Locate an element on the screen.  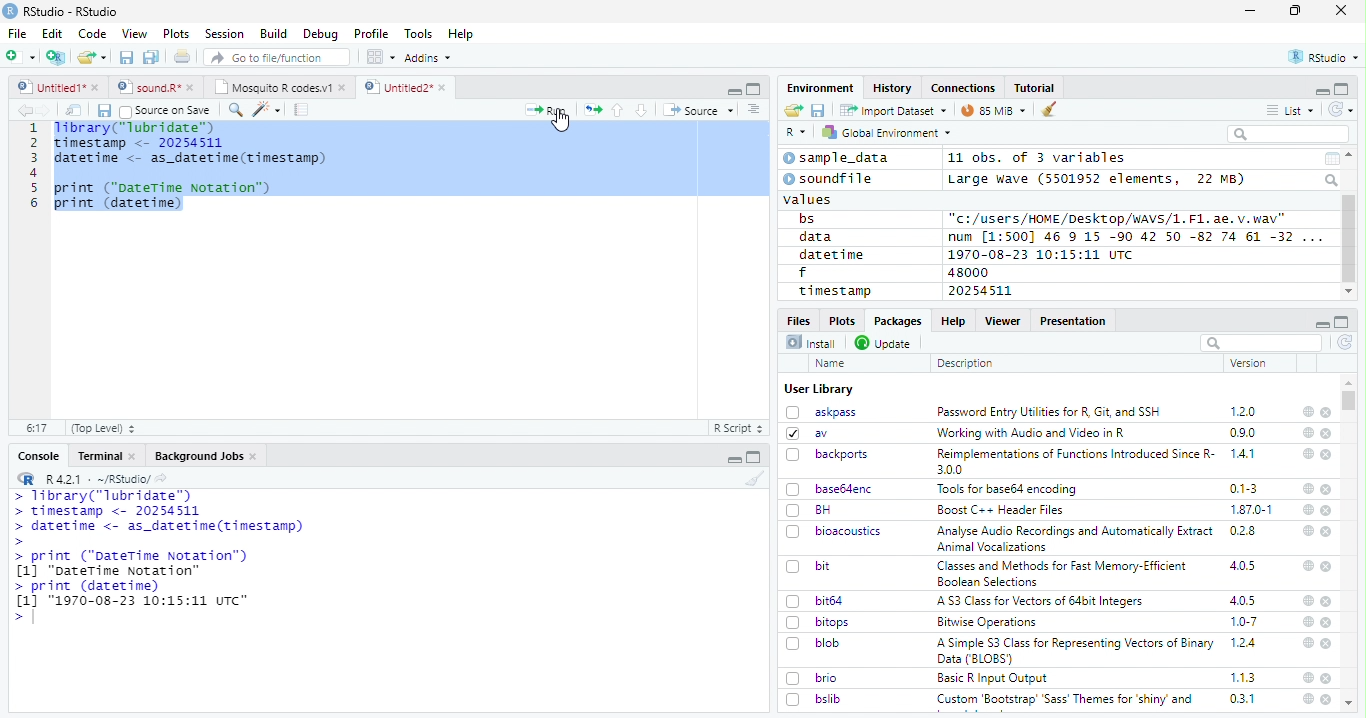
find is located at coordinates (233, 108).